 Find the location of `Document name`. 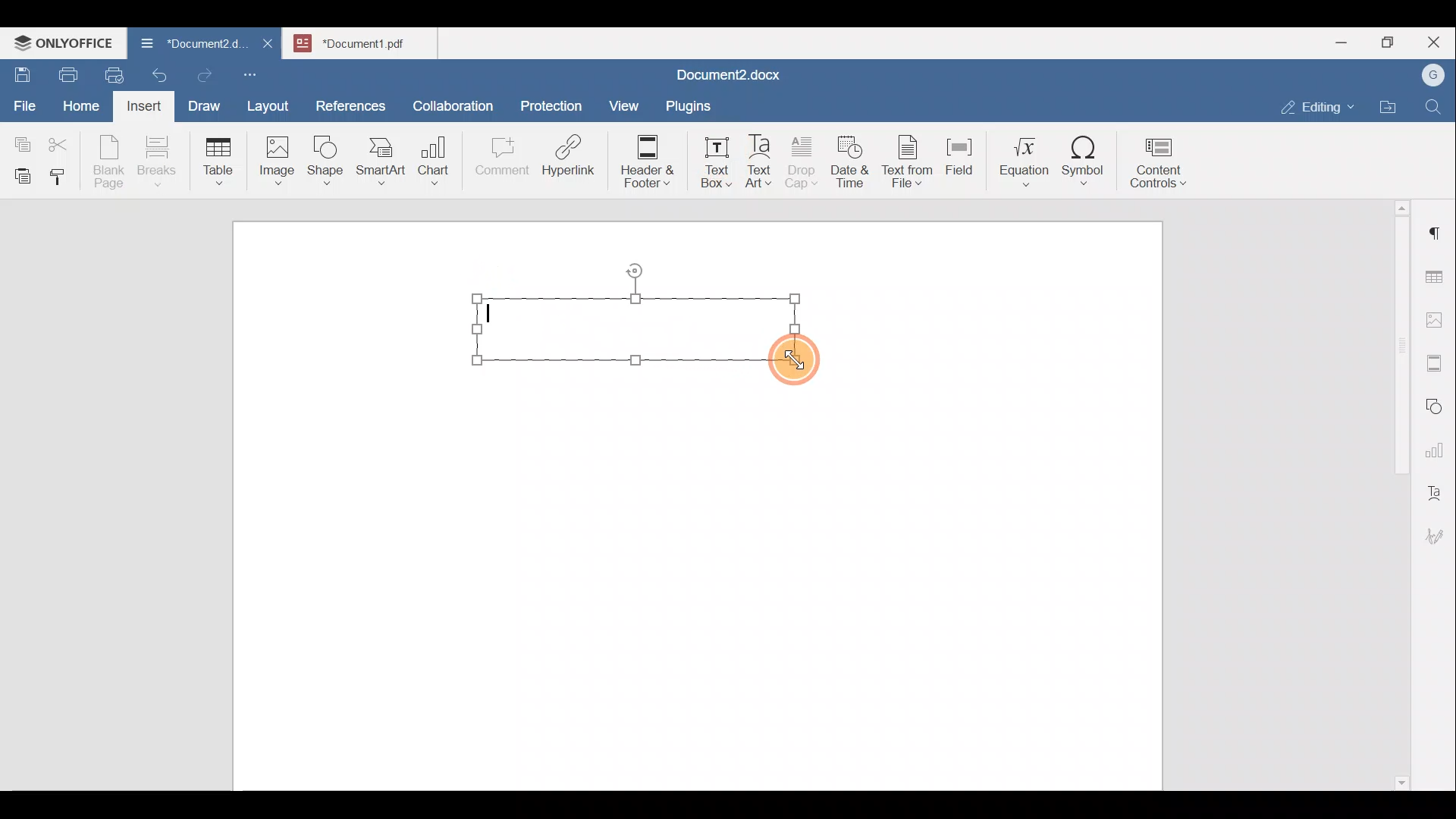

Document name is located at coordinates (185, 45).